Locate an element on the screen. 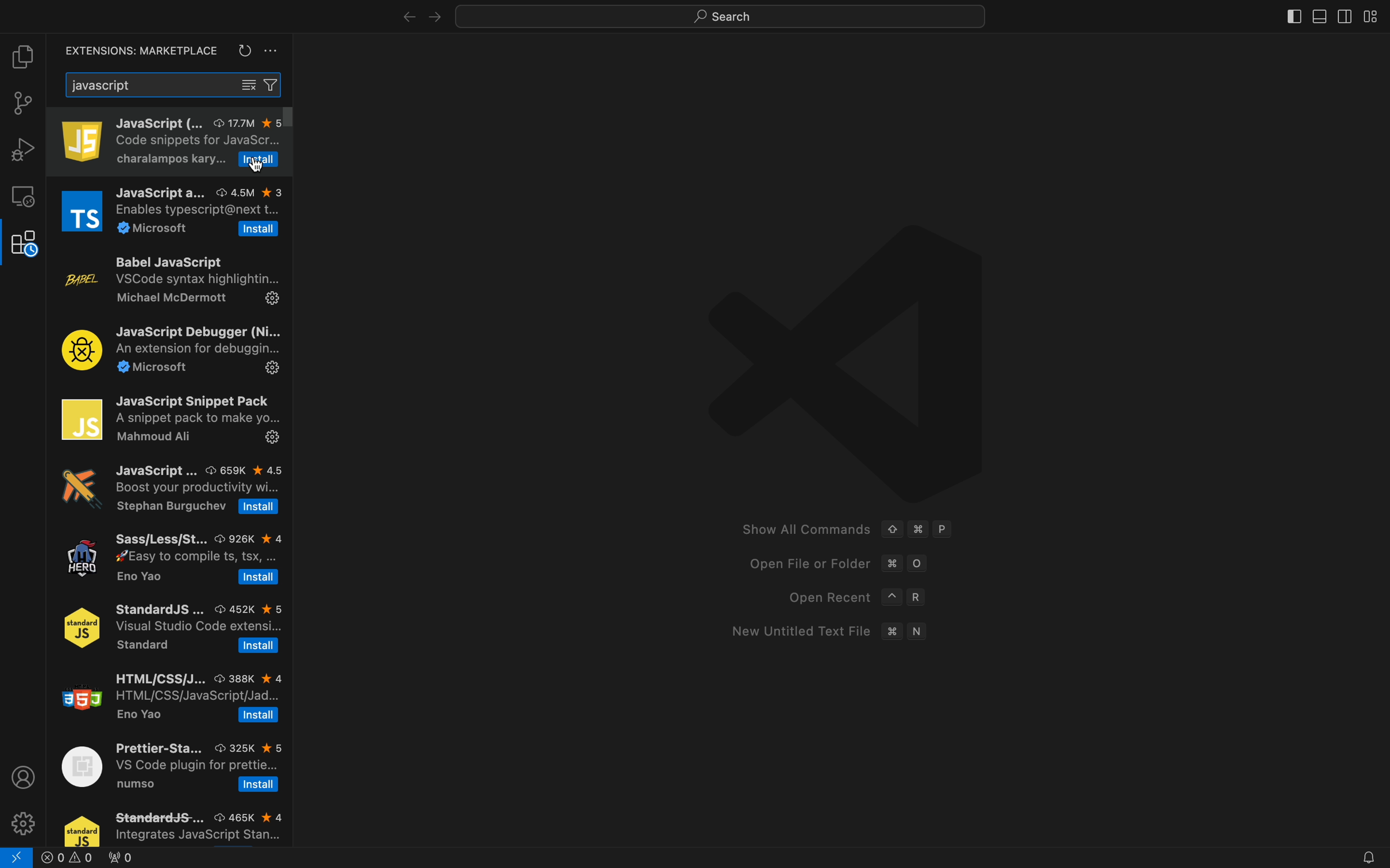 This screenshot has width=1390, height=868. extensions is located at coordinates (136, 51).